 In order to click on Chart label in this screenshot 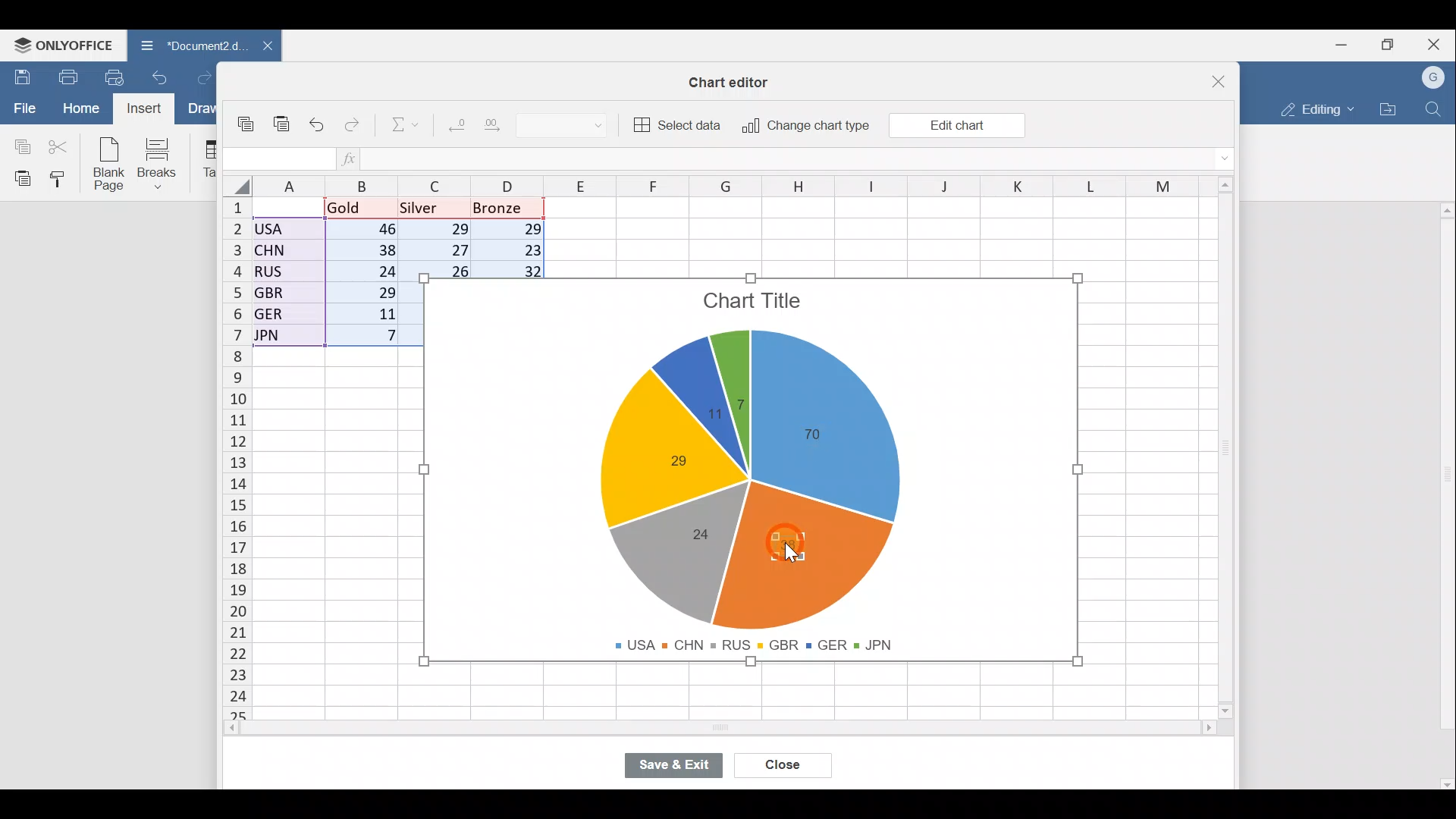, I will do `click(667, 460)`.